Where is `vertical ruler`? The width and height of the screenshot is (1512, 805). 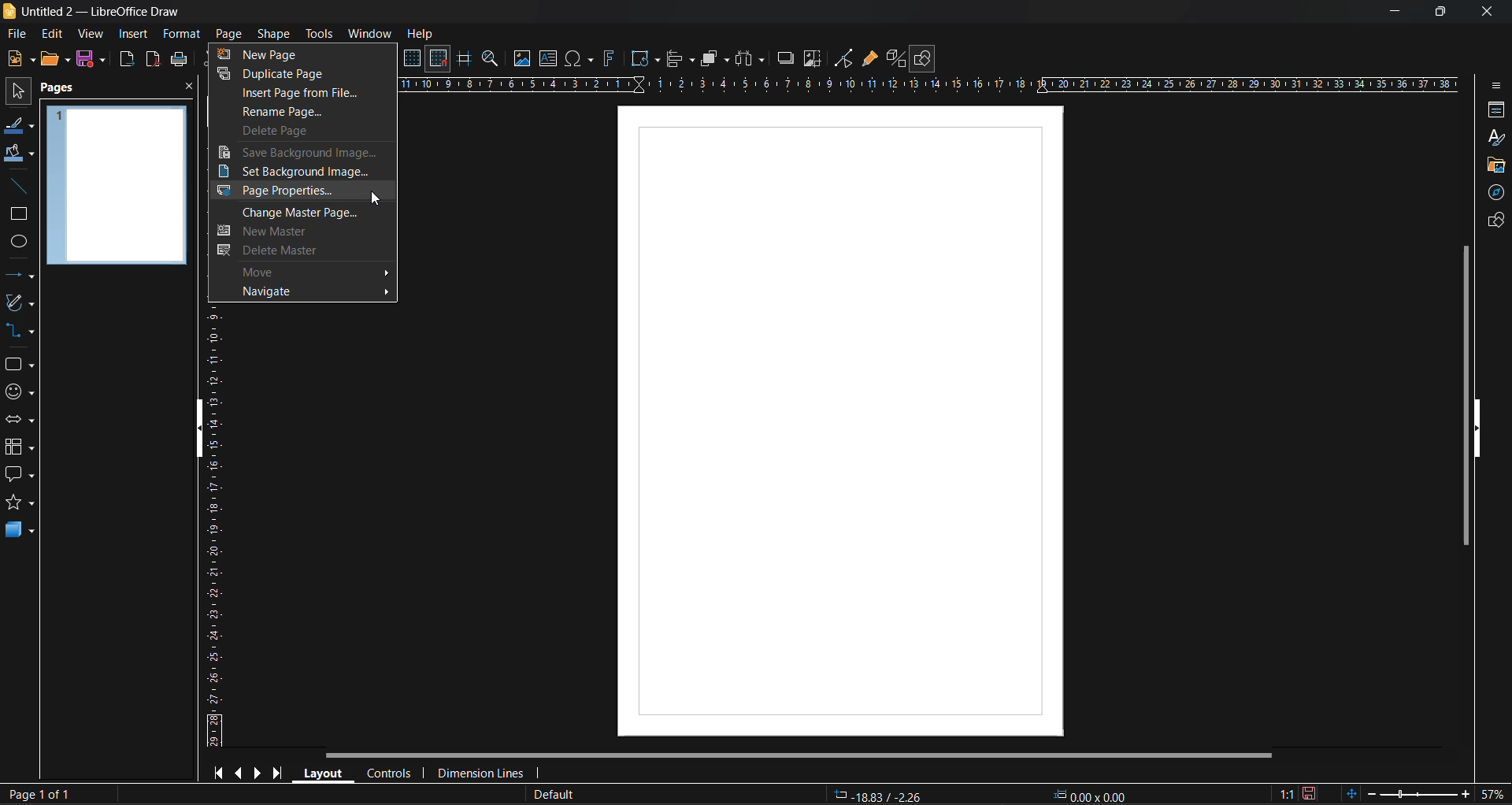
vertical ruler is located at coordinates (213, 425).